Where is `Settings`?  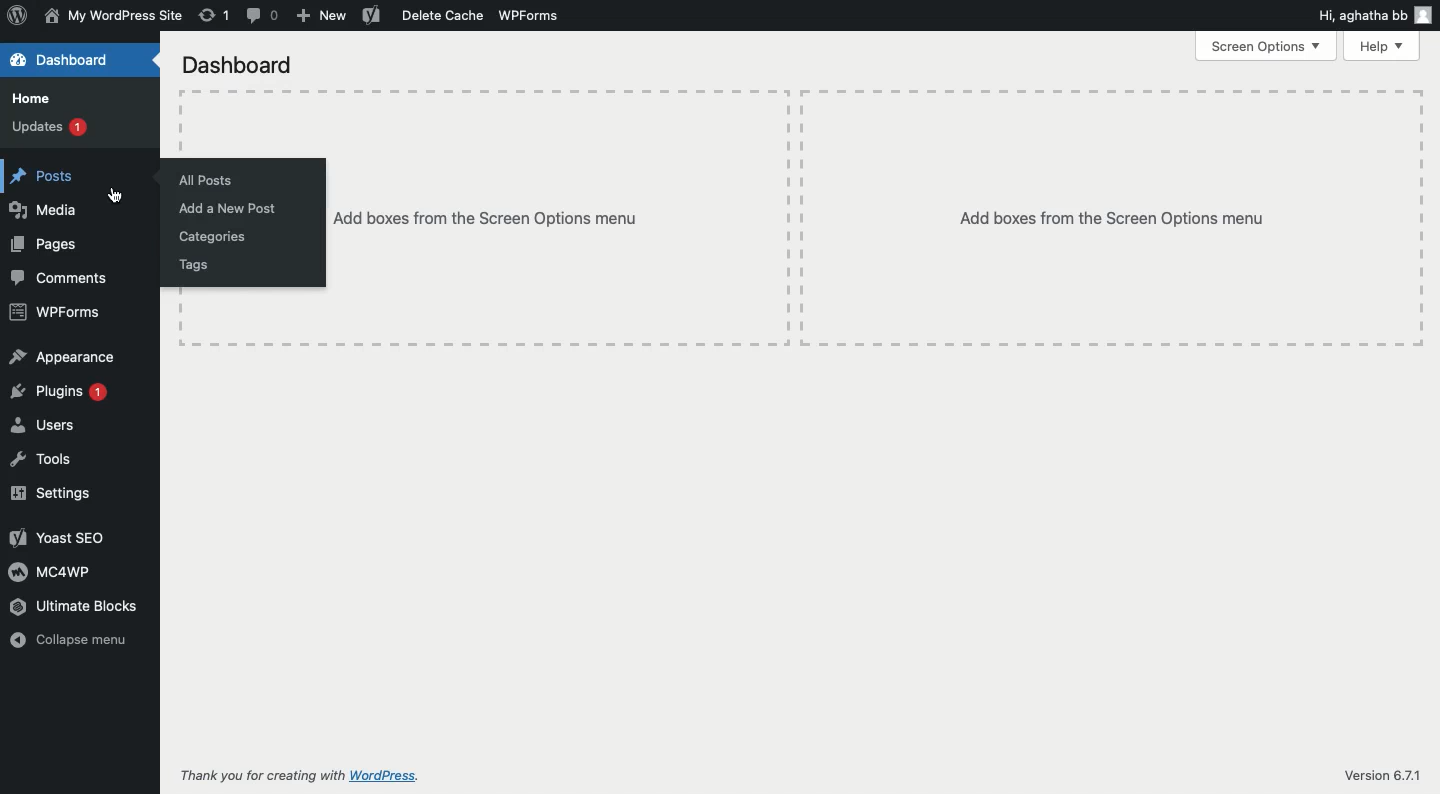 Settings is located at coordinates (52, 493).